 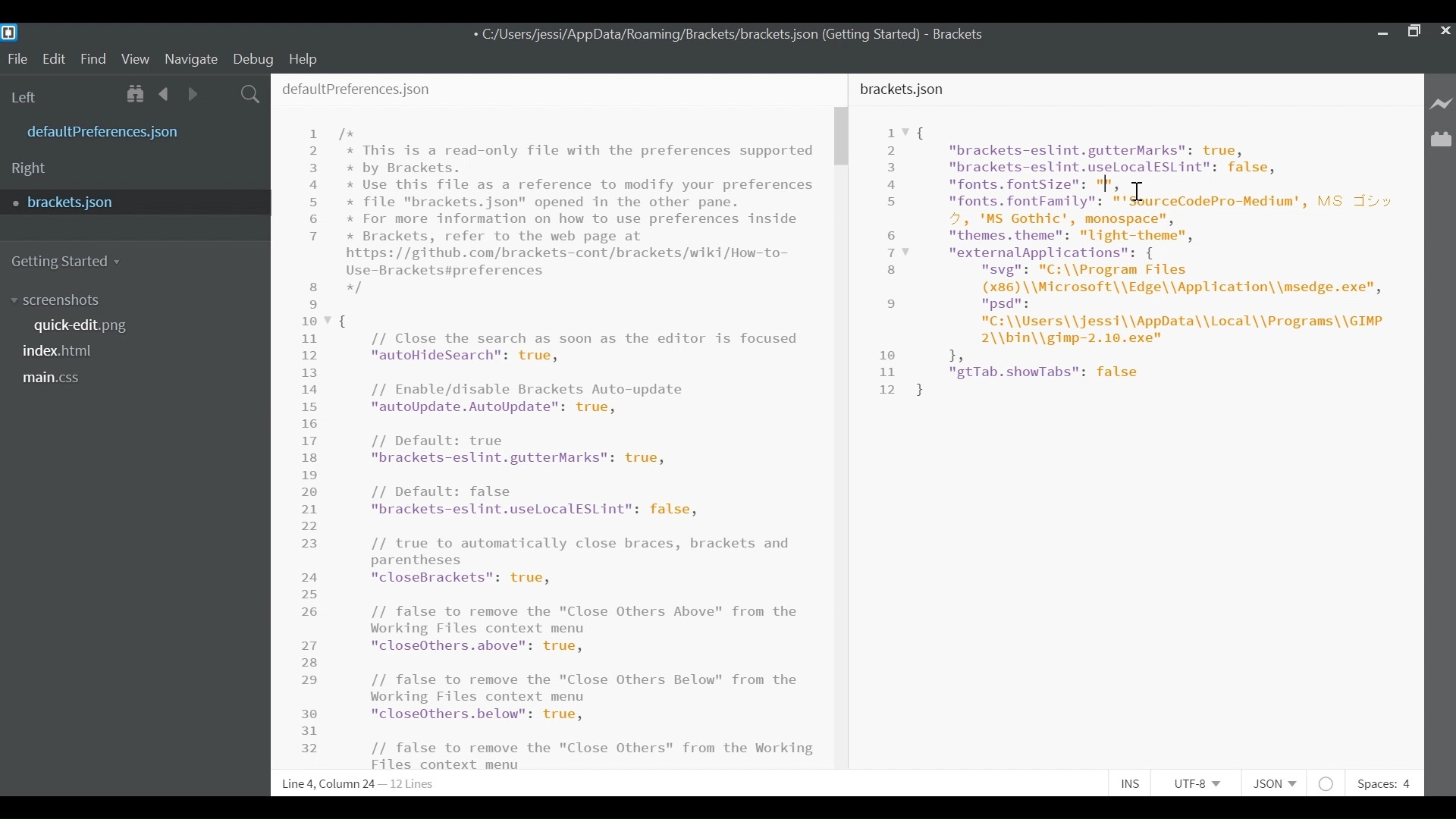 What do you see at coordinates (93, 325) in the screenshot?
I see `quickedit.png` at bounding box center [93, 325].